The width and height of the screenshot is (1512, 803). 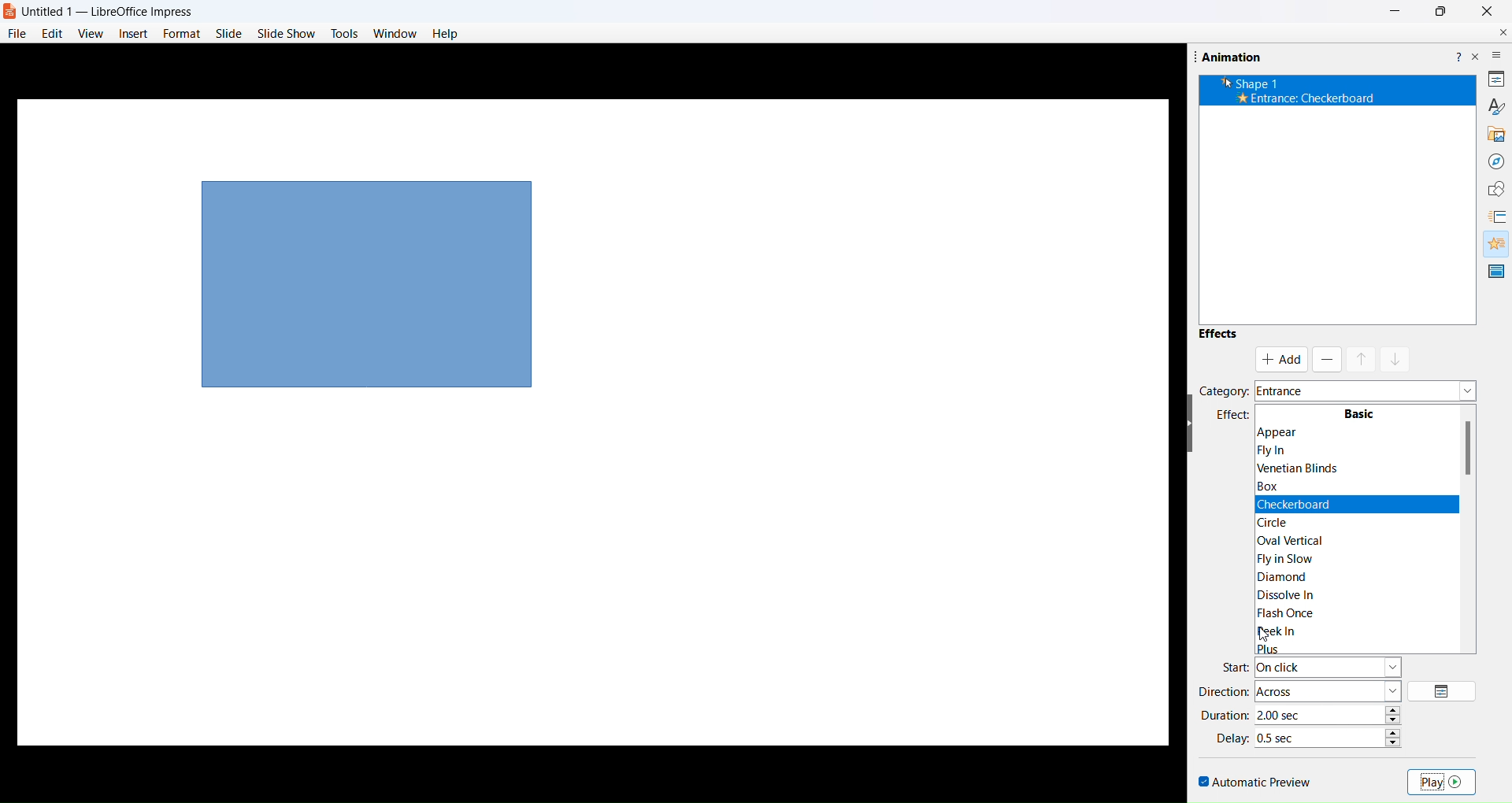 I want to click on master slide, so click(x=1495, y=272).